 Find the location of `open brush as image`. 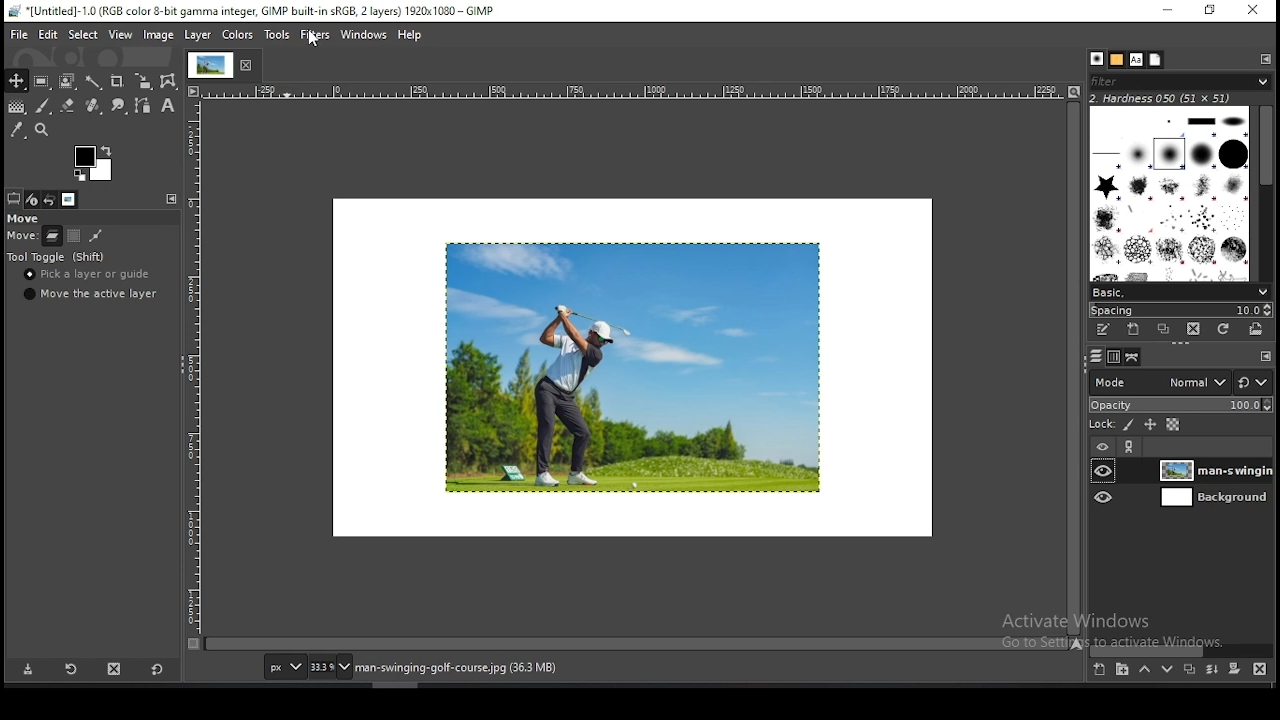

open brush as image is located at coordinates (1260, 332).